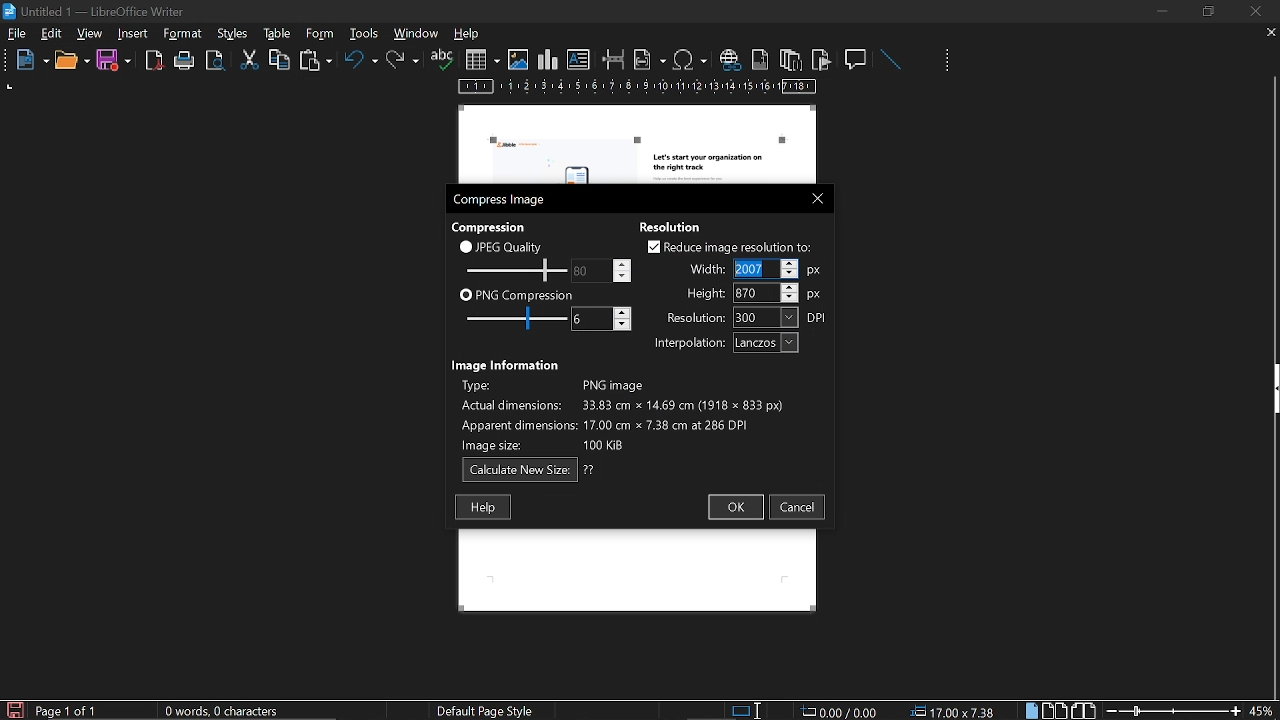 The image size is (1280, 720). What do you see at coordinates (650, 59) in the screenshot?
I see `insert field` at bounding box center [650, 59].